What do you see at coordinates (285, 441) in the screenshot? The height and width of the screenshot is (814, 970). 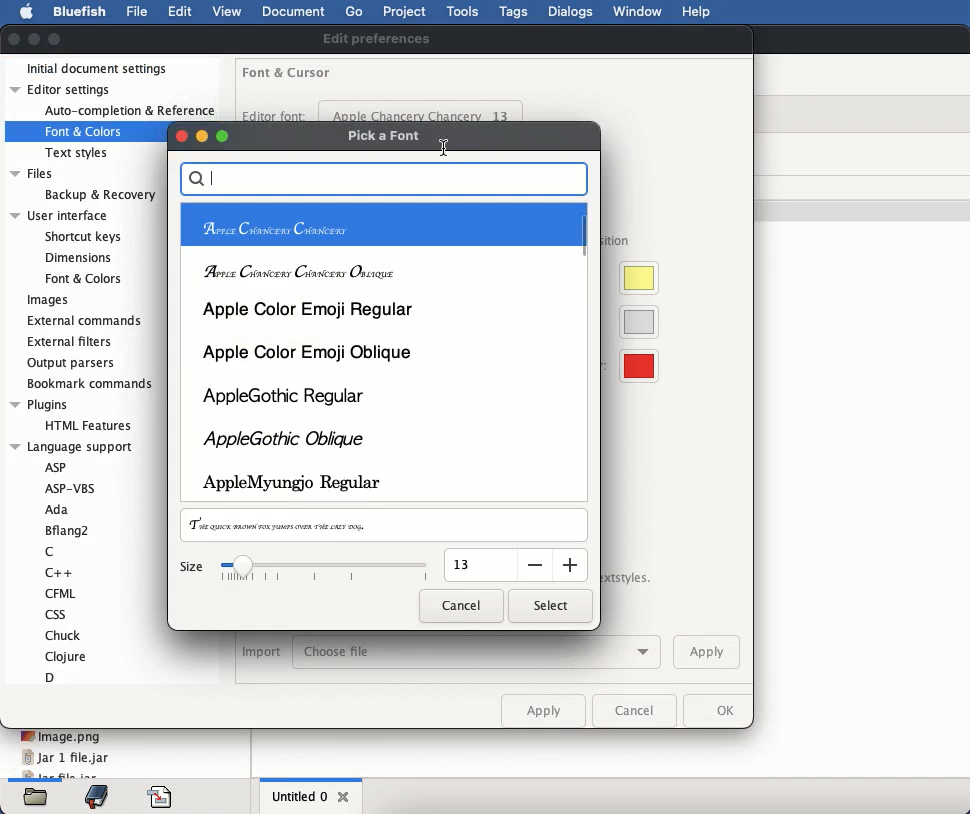 I see `apple oblique` at bounding box center [285, 441].